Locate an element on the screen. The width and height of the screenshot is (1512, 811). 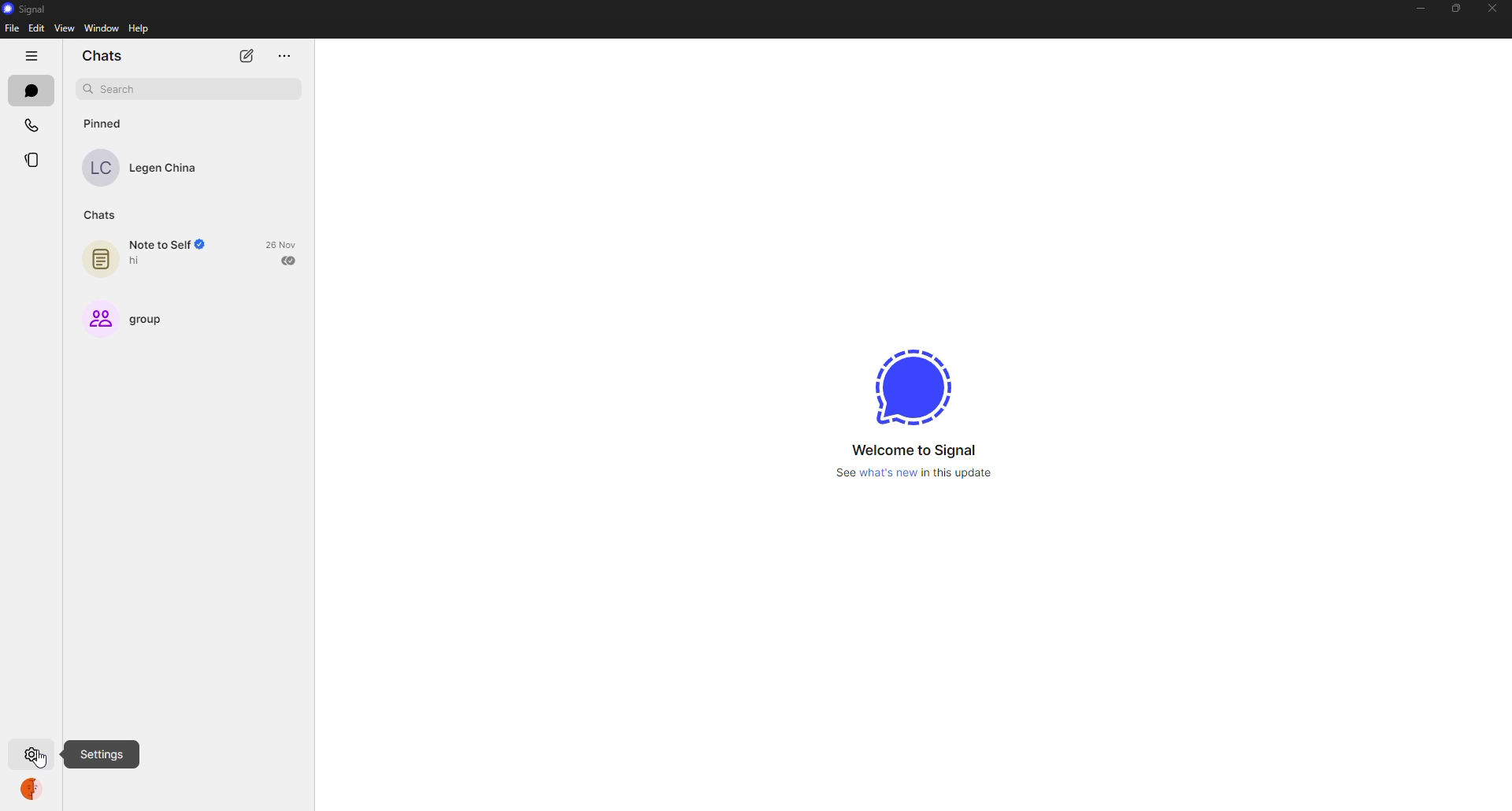
group is located at coordinates (125, 319).